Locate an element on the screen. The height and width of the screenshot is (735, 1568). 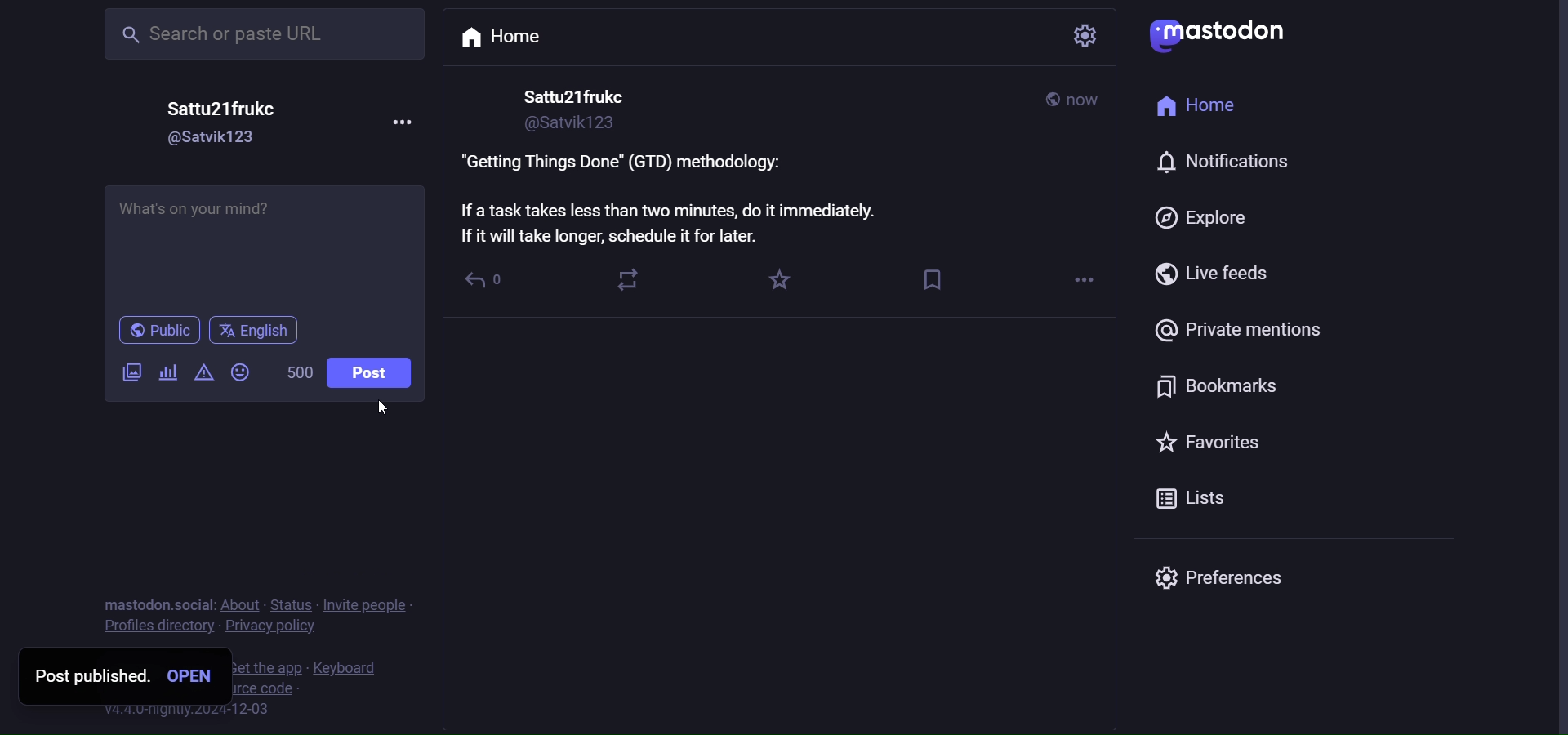
date modified is located at coordinates (1090, 100).